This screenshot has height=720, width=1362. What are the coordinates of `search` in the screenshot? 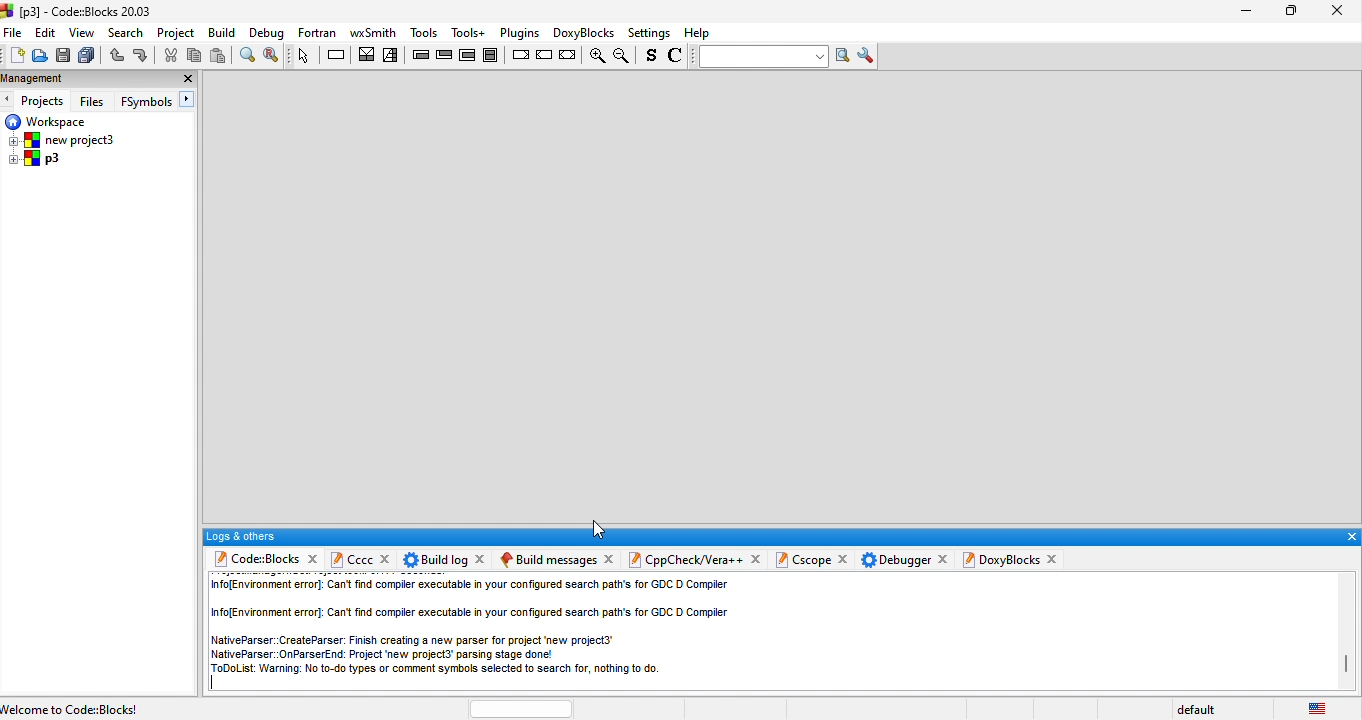 It's located at (128, 33).